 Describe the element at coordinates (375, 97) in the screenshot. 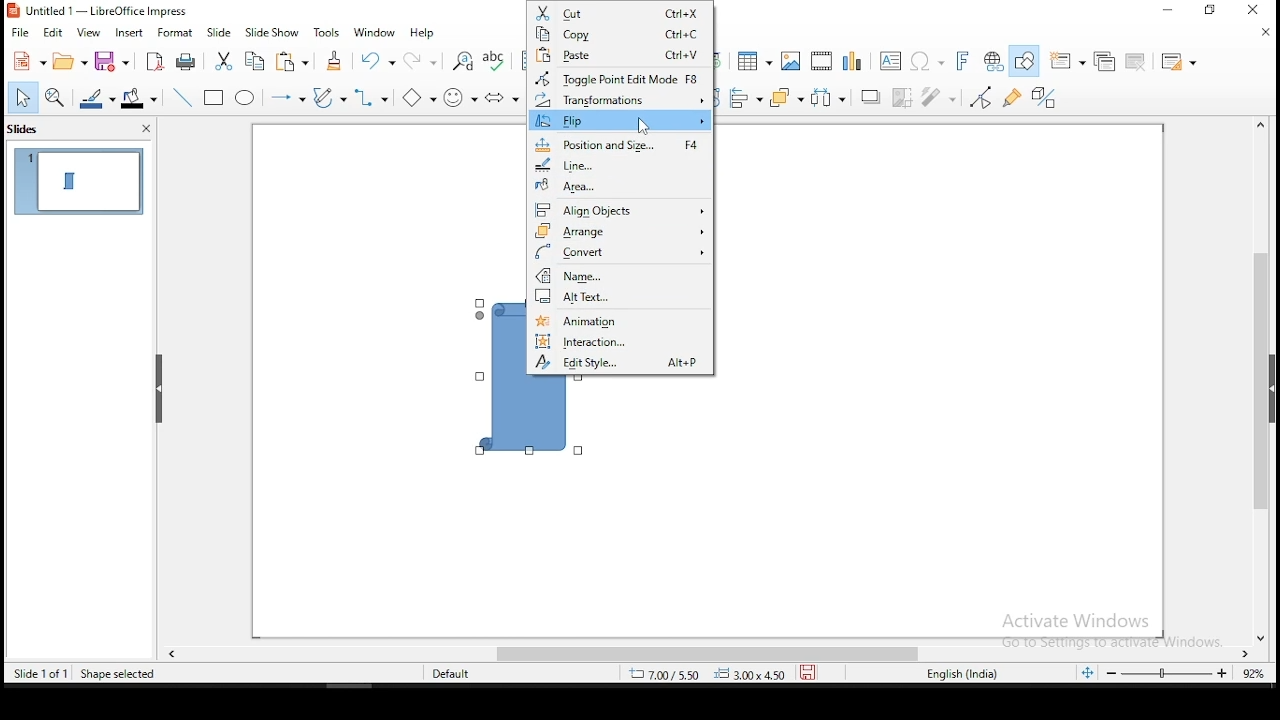

I see `connectors` at that location.